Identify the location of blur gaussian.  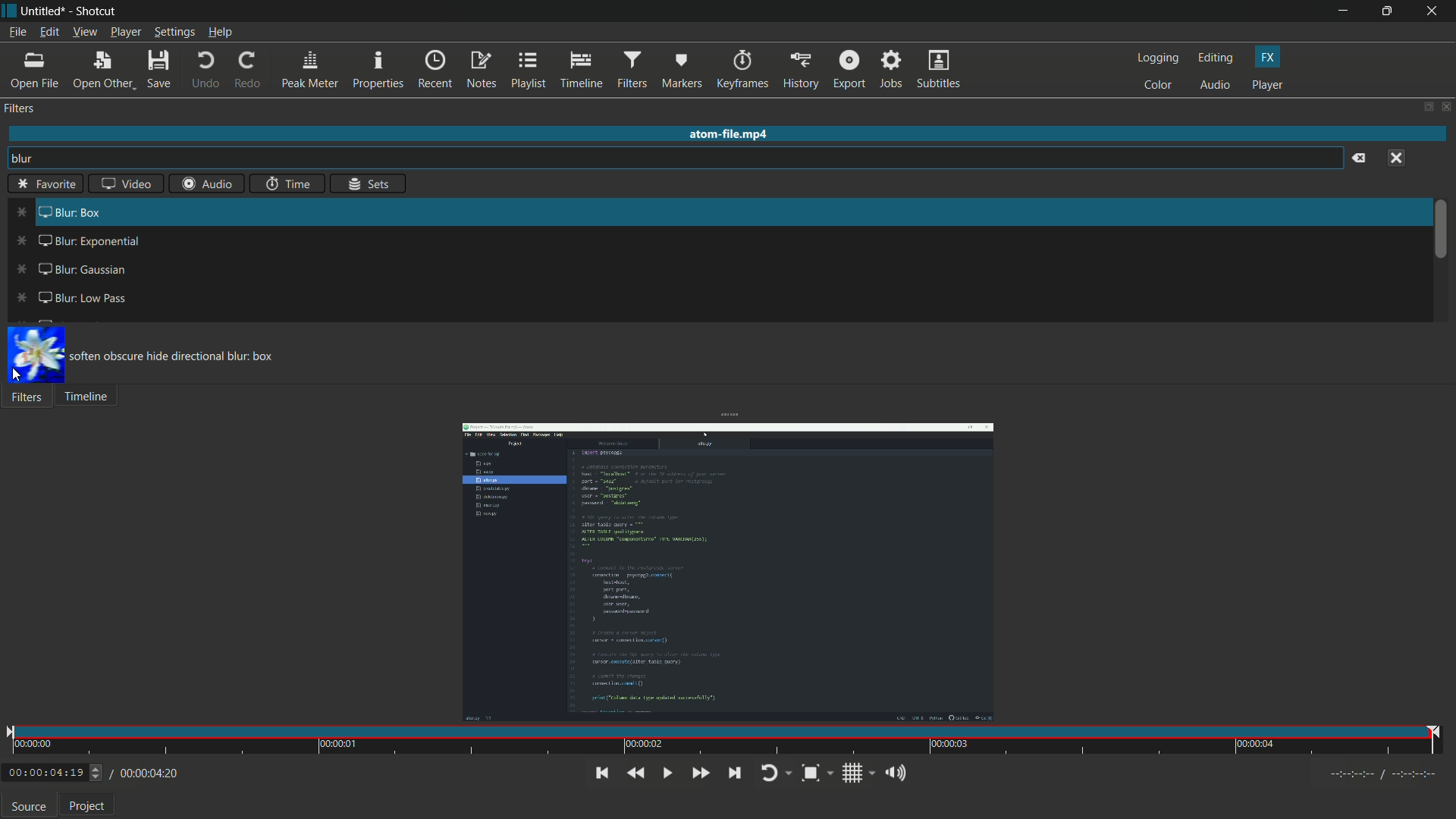
(66, 270).